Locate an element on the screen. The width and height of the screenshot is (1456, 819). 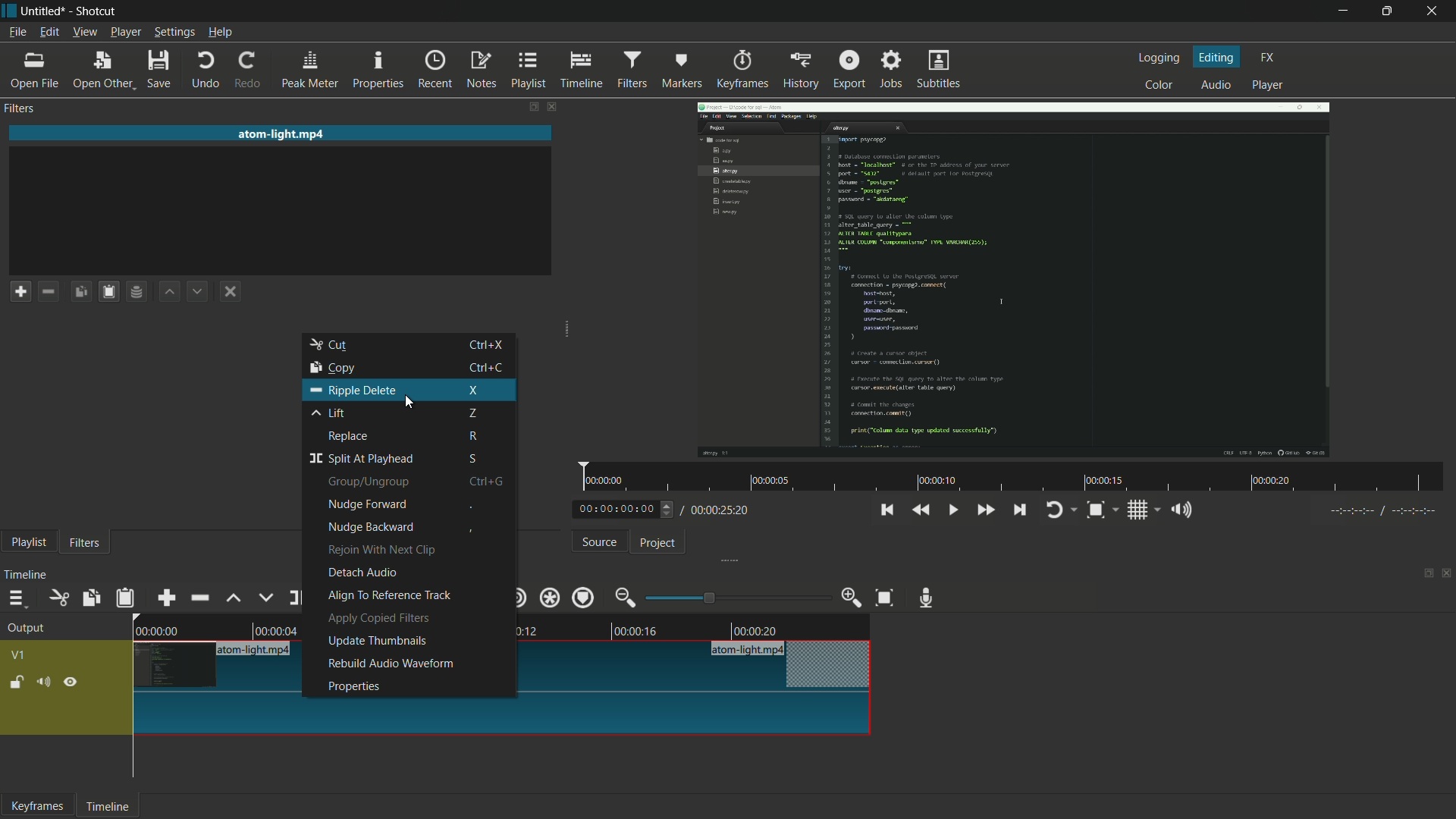
Close is located at coordinates (1434, 11).